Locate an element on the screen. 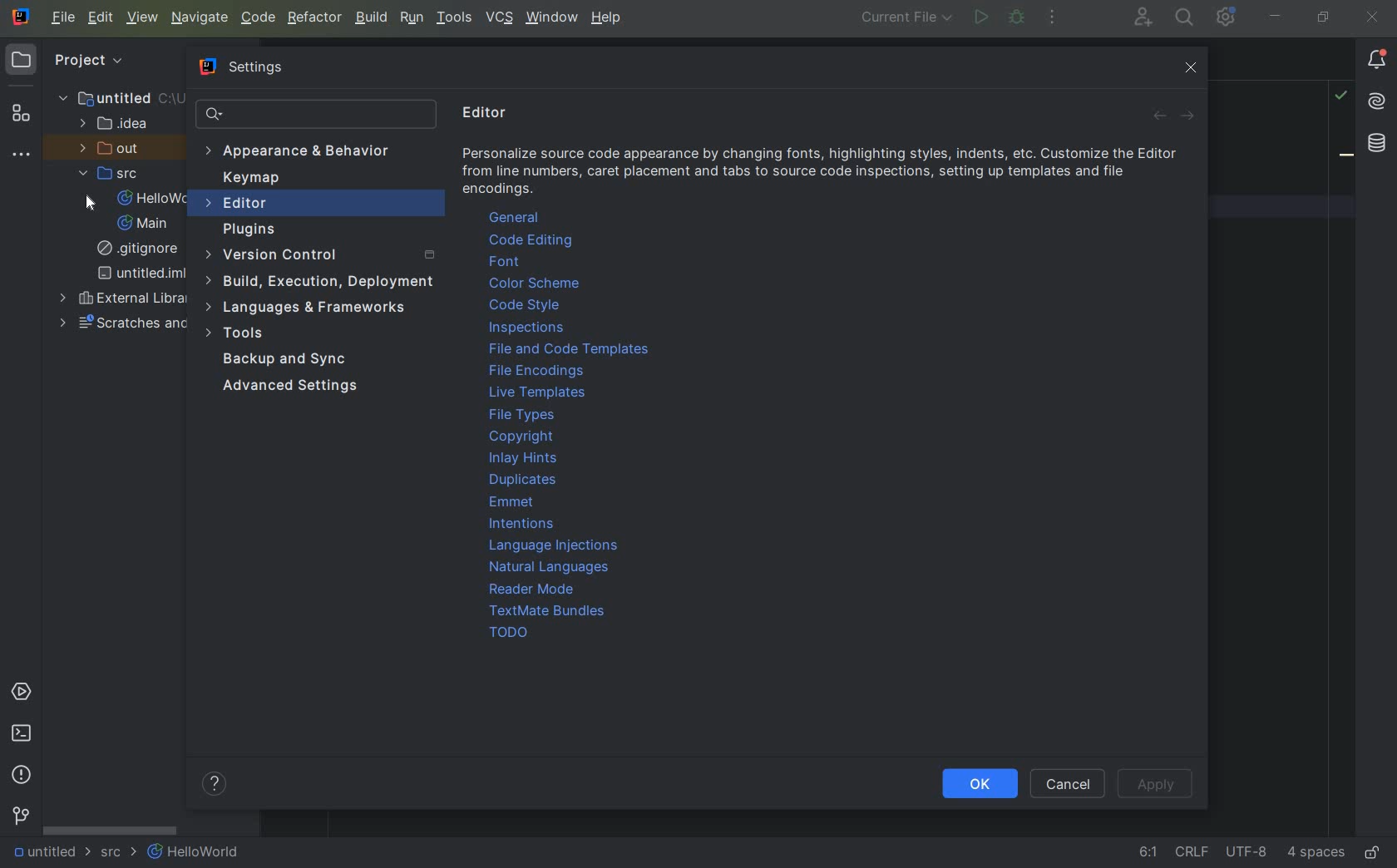 The width and height of the screenshot is (1397, 868). SRC is located at coordinates (117, 851).